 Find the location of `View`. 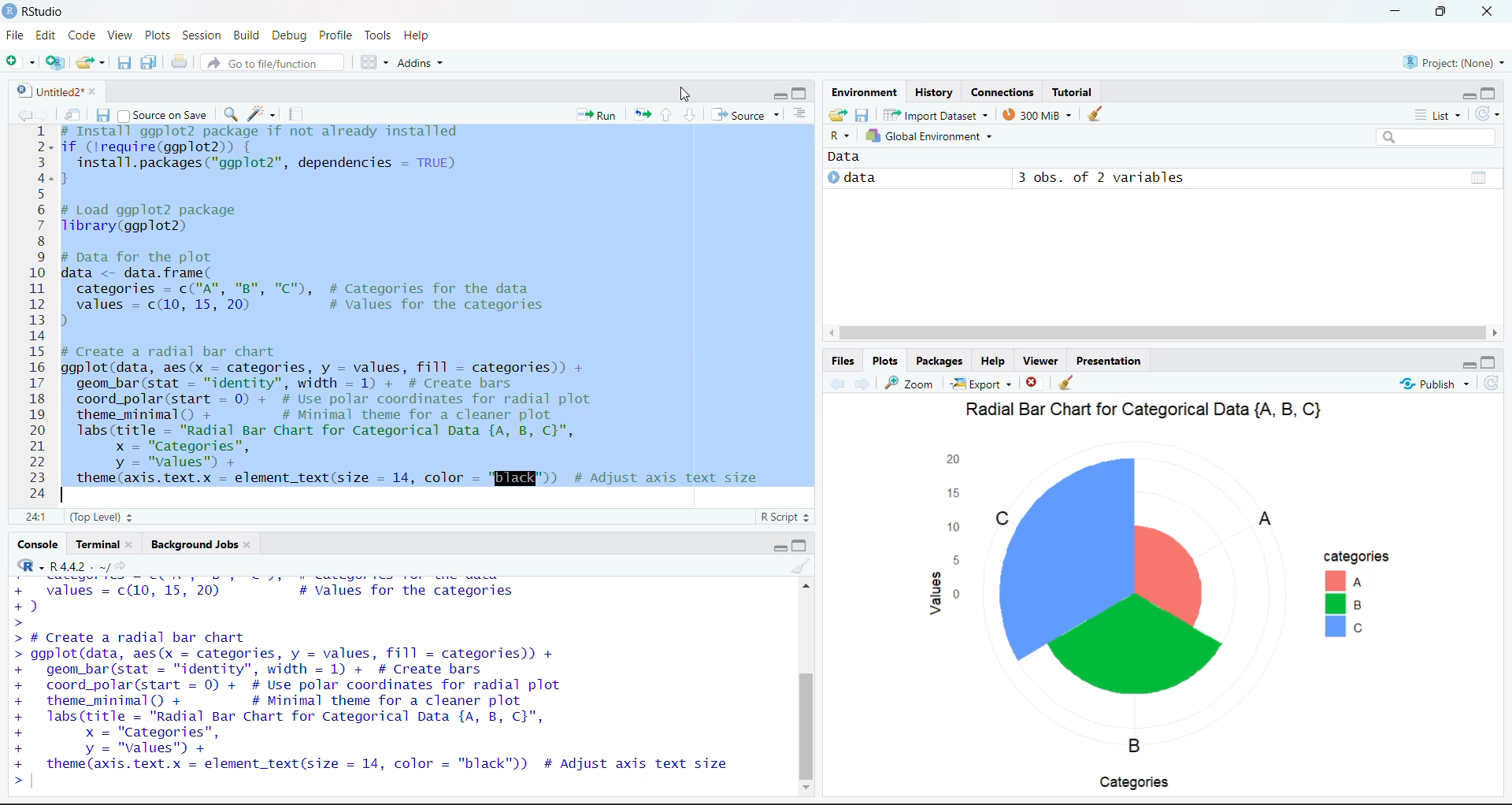

View is located at coordinates (119, 35).